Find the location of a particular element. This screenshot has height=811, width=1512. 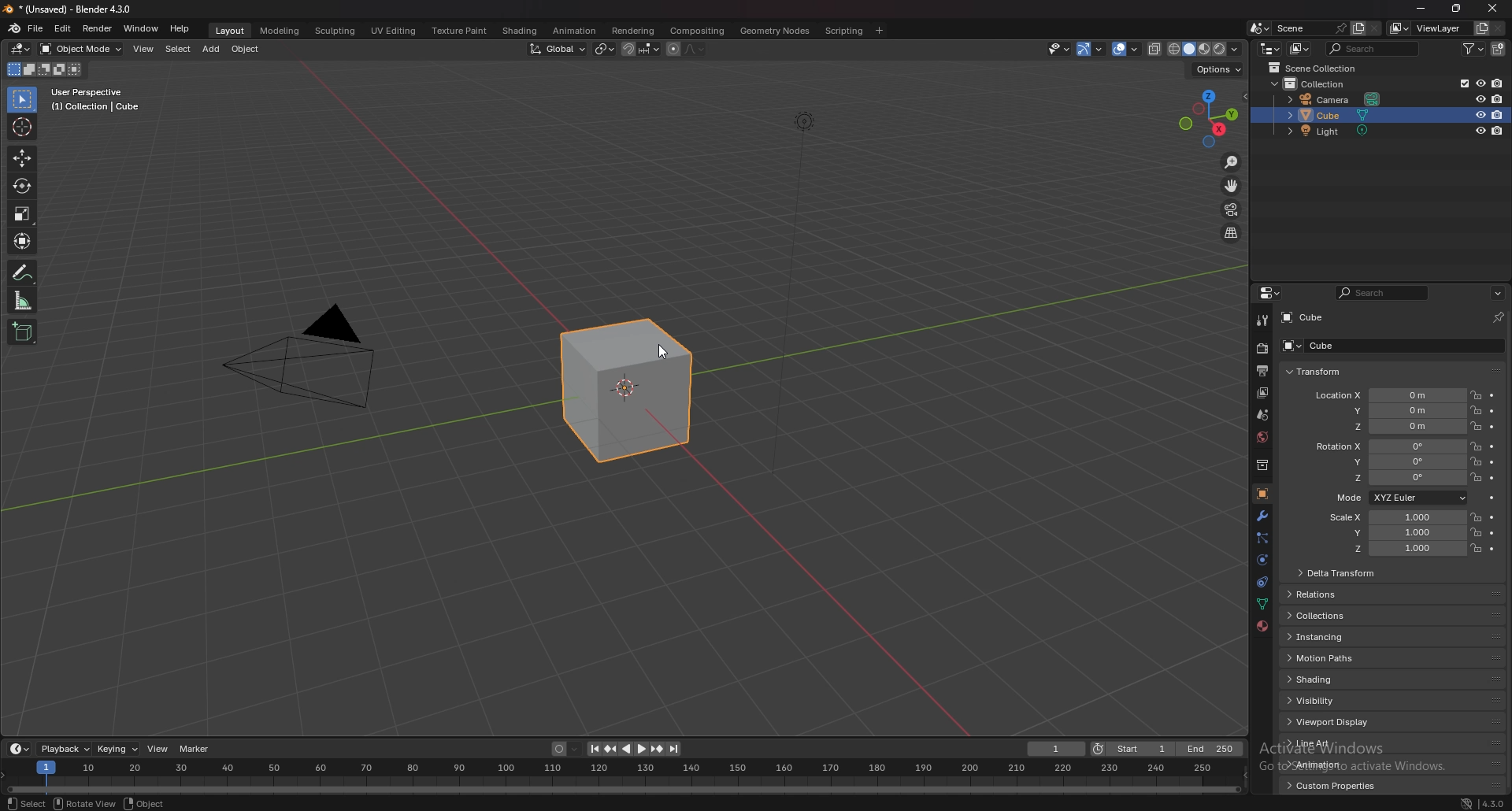

animate property is located at coordinates (1492, 533).